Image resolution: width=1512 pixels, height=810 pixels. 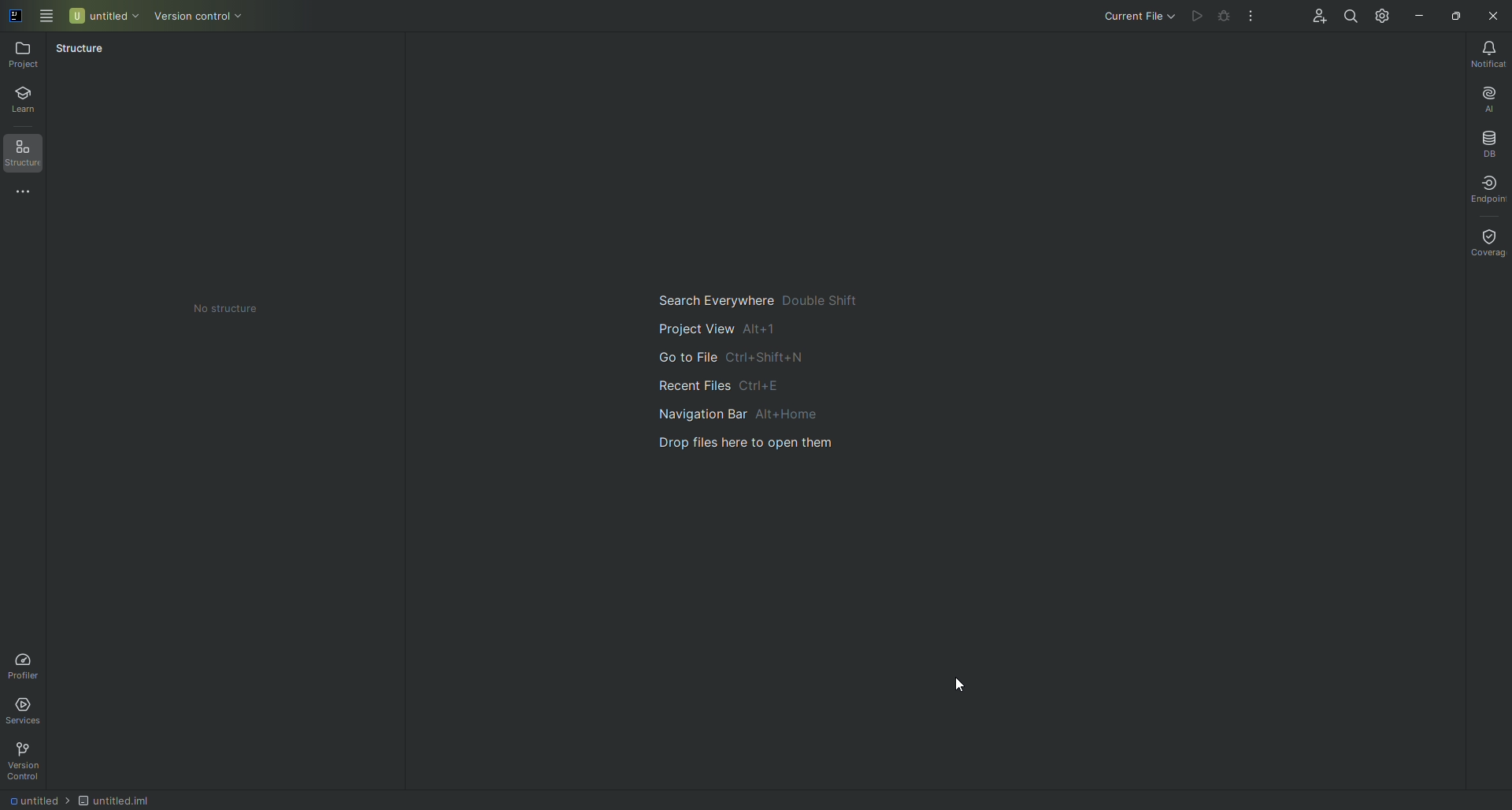 What do you see at coordinates (758, 329) in the screenshot?
I see `project view` at bounding box center [758, 329].